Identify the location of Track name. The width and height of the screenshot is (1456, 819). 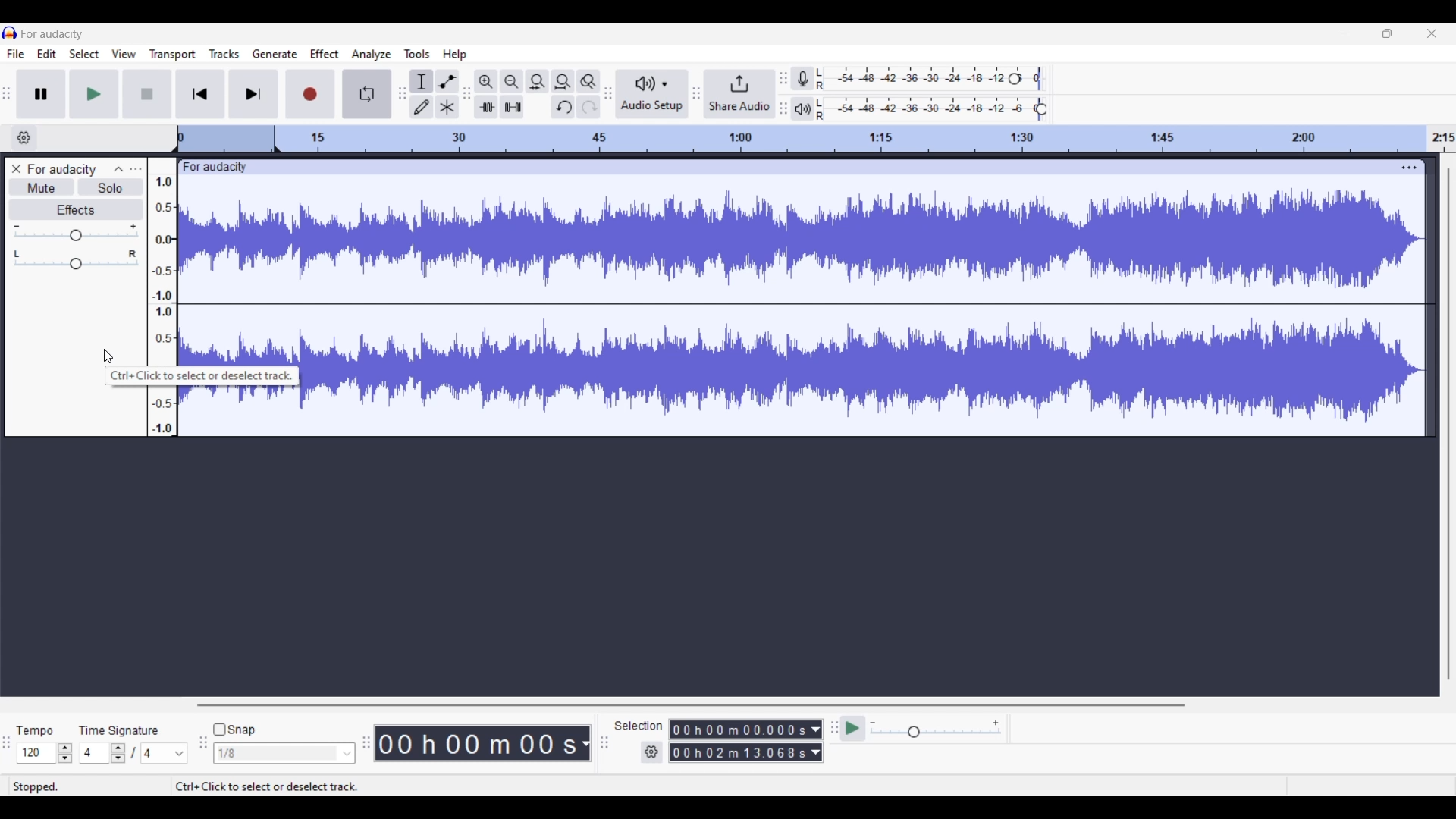
(215, 168).